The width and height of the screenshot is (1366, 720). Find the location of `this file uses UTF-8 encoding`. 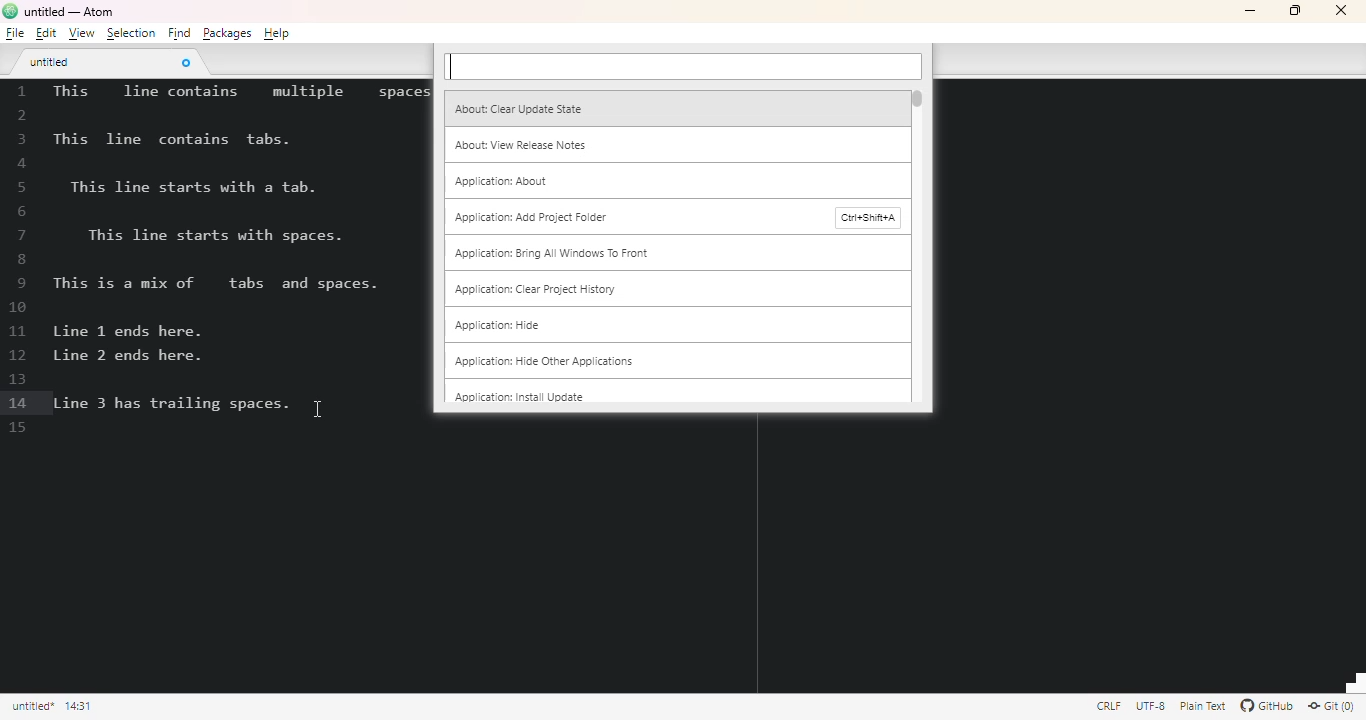

this file uses UTF-8 encoding is located at coordinates (1151, 706).